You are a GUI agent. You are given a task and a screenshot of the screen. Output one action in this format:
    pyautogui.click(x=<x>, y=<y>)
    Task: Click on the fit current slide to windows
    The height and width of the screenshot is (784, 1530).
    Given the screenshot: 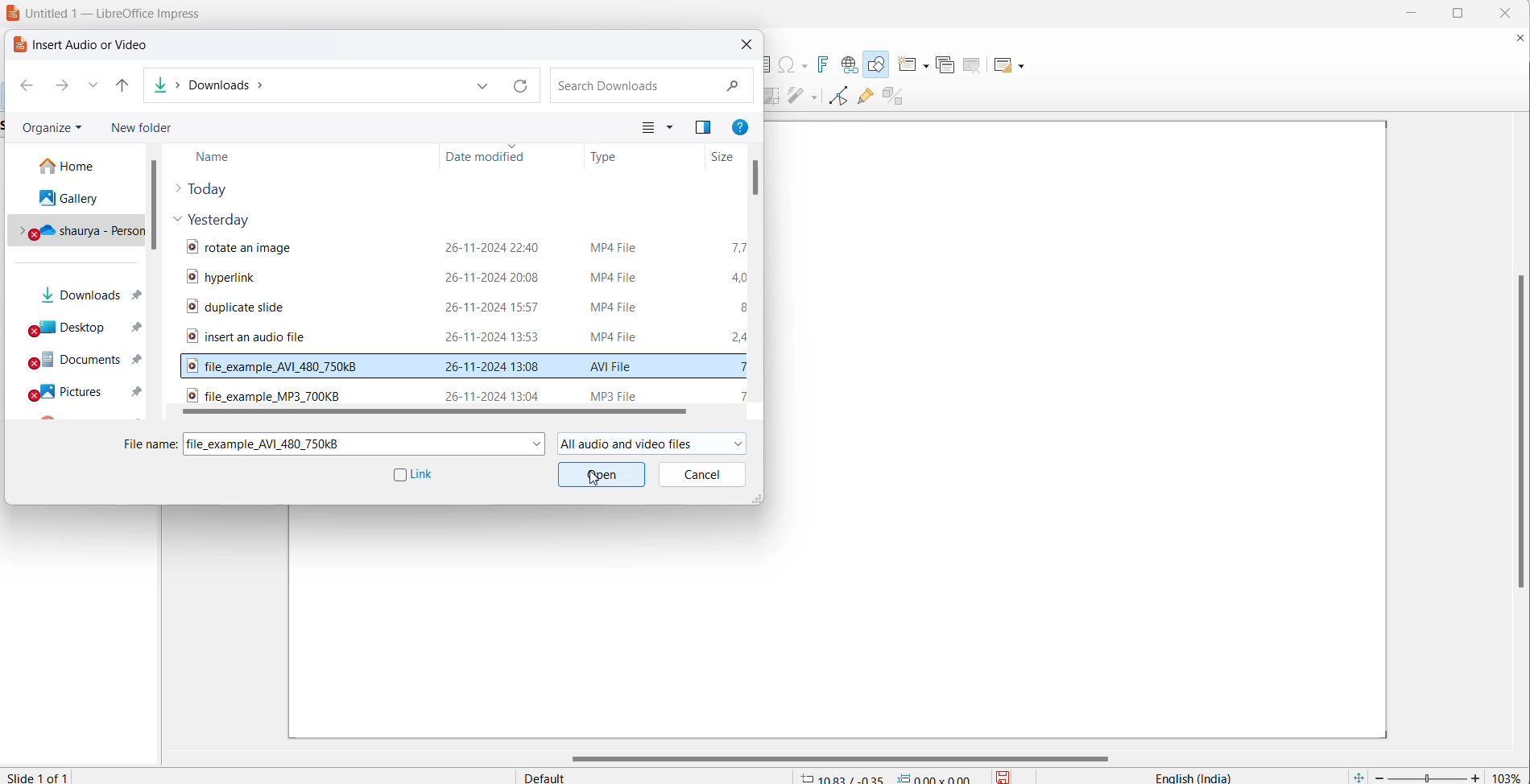 What is the action you would take?
    pyautogui.click(x=1357, y=776)
    